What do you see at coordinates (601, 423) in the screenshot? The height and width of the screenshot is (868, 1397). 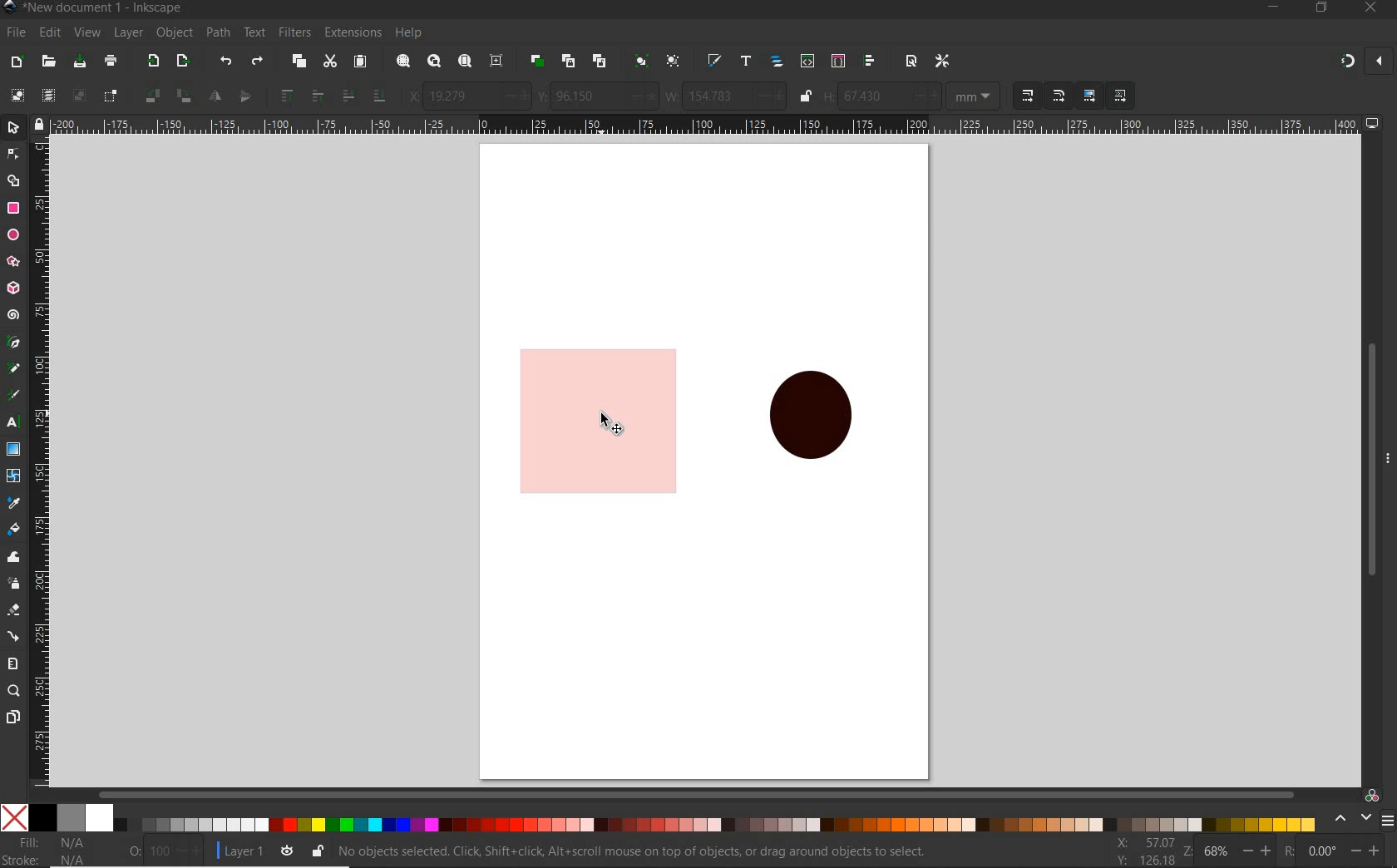 I see `shape` at bounding box center [601, 423].